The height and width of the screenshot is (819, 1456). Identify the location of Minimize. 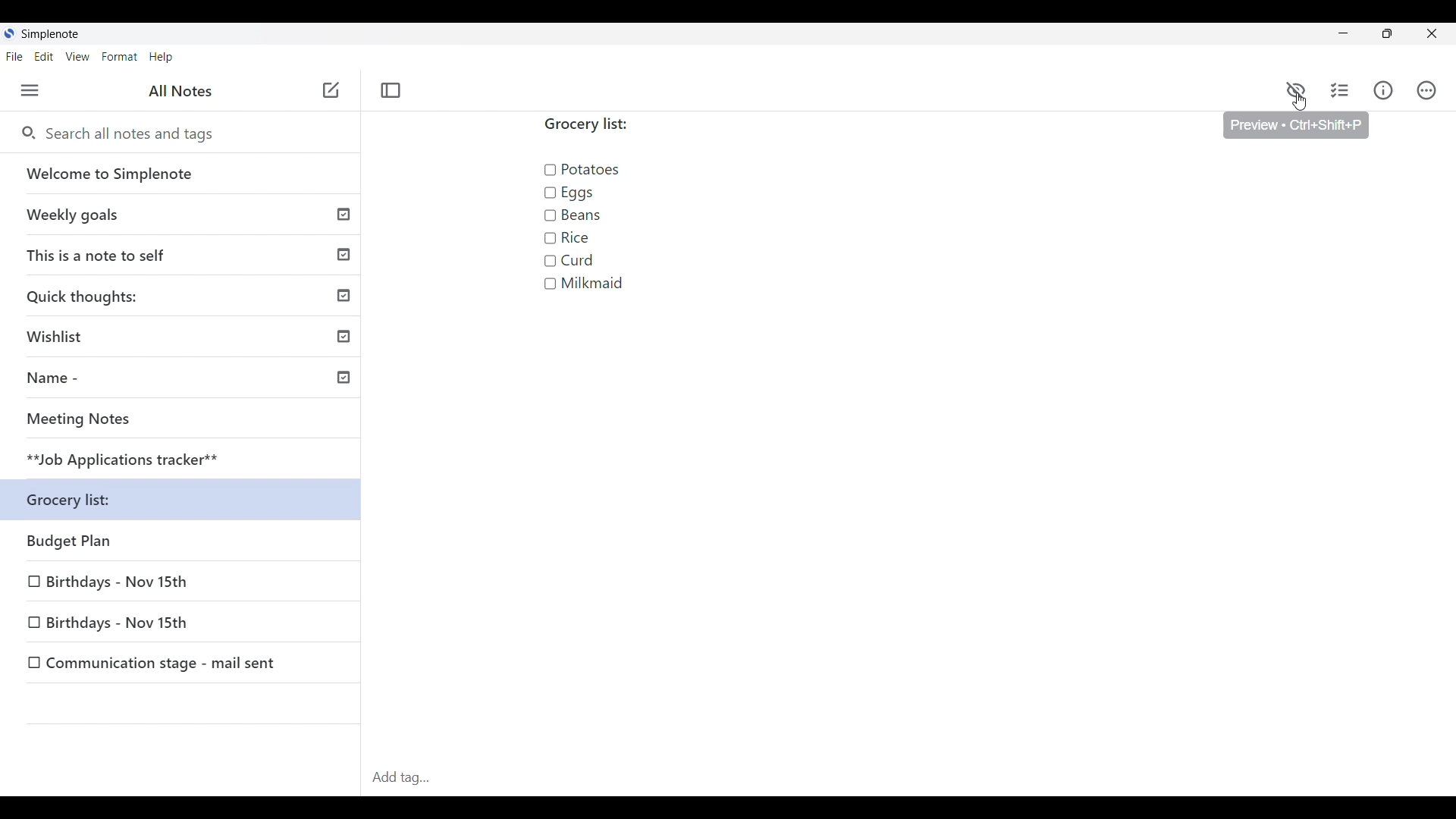
(1339, 33).